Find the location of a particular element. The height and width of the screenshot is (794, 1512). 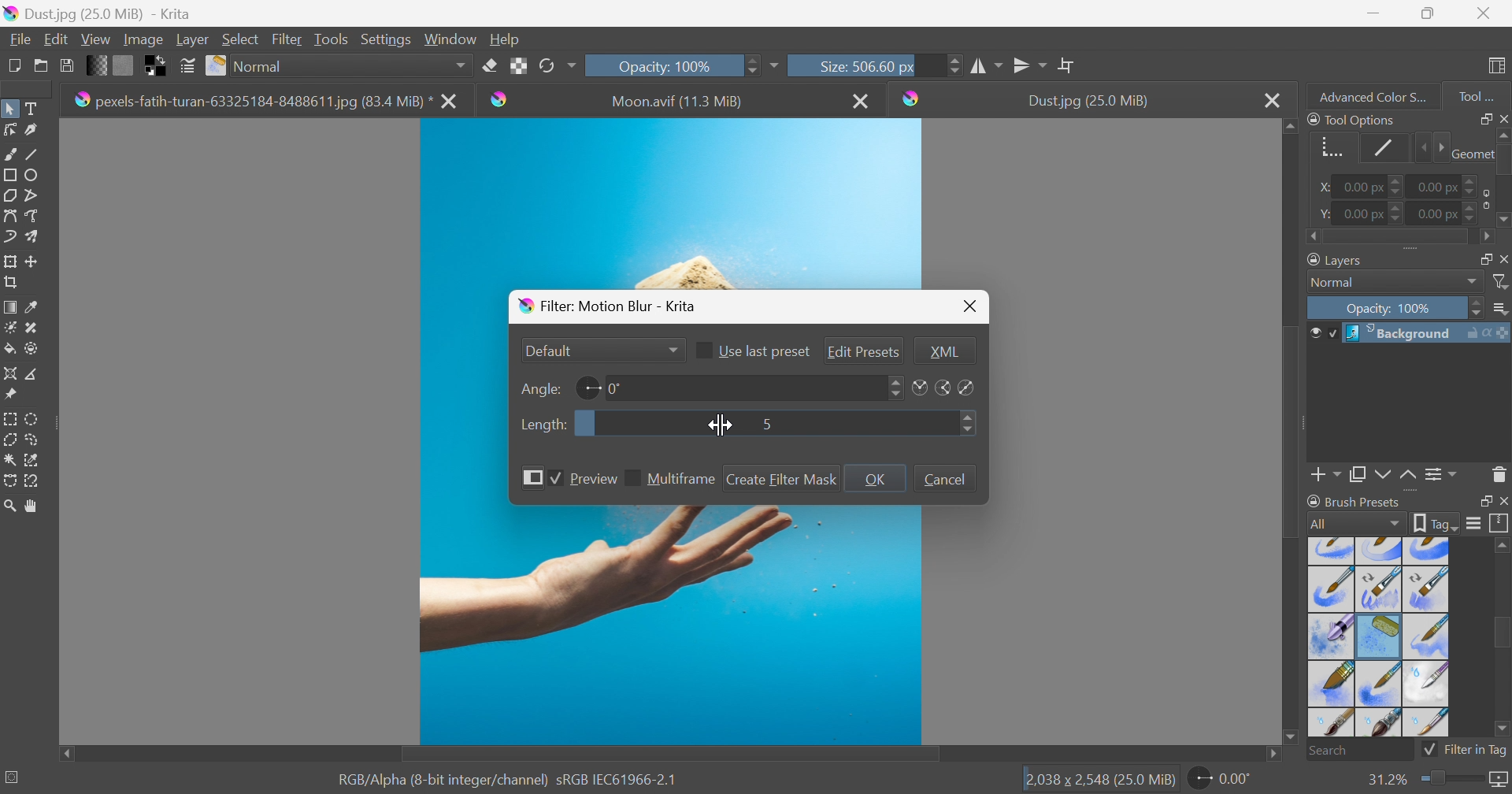

View or change the layer properties is located at coordinates (1437, 475).